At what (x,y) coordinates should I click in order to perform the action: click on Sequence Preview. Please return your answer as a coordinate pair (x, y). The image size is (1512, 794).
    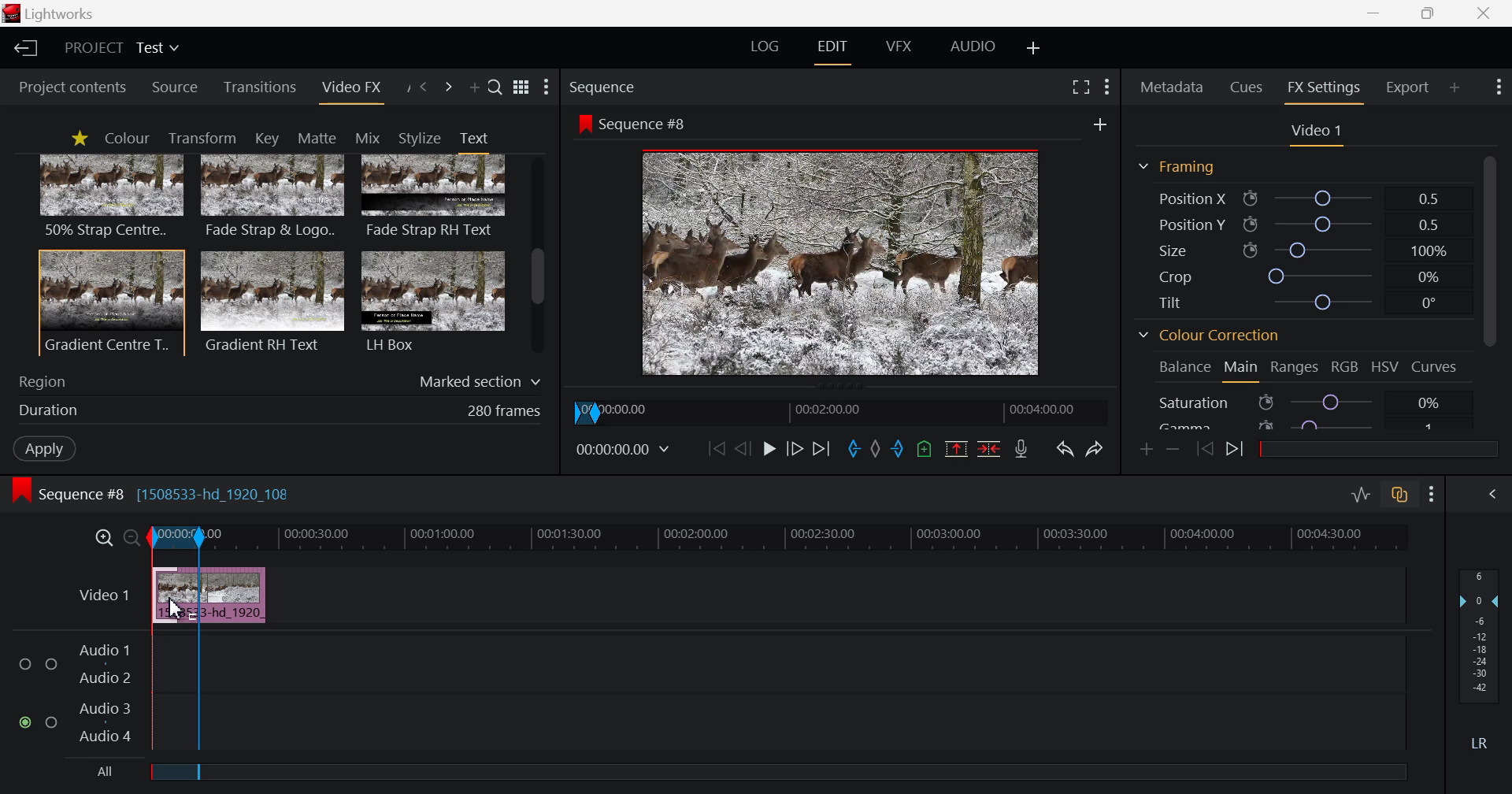
    Looking at the image, I should click on (843, 266).